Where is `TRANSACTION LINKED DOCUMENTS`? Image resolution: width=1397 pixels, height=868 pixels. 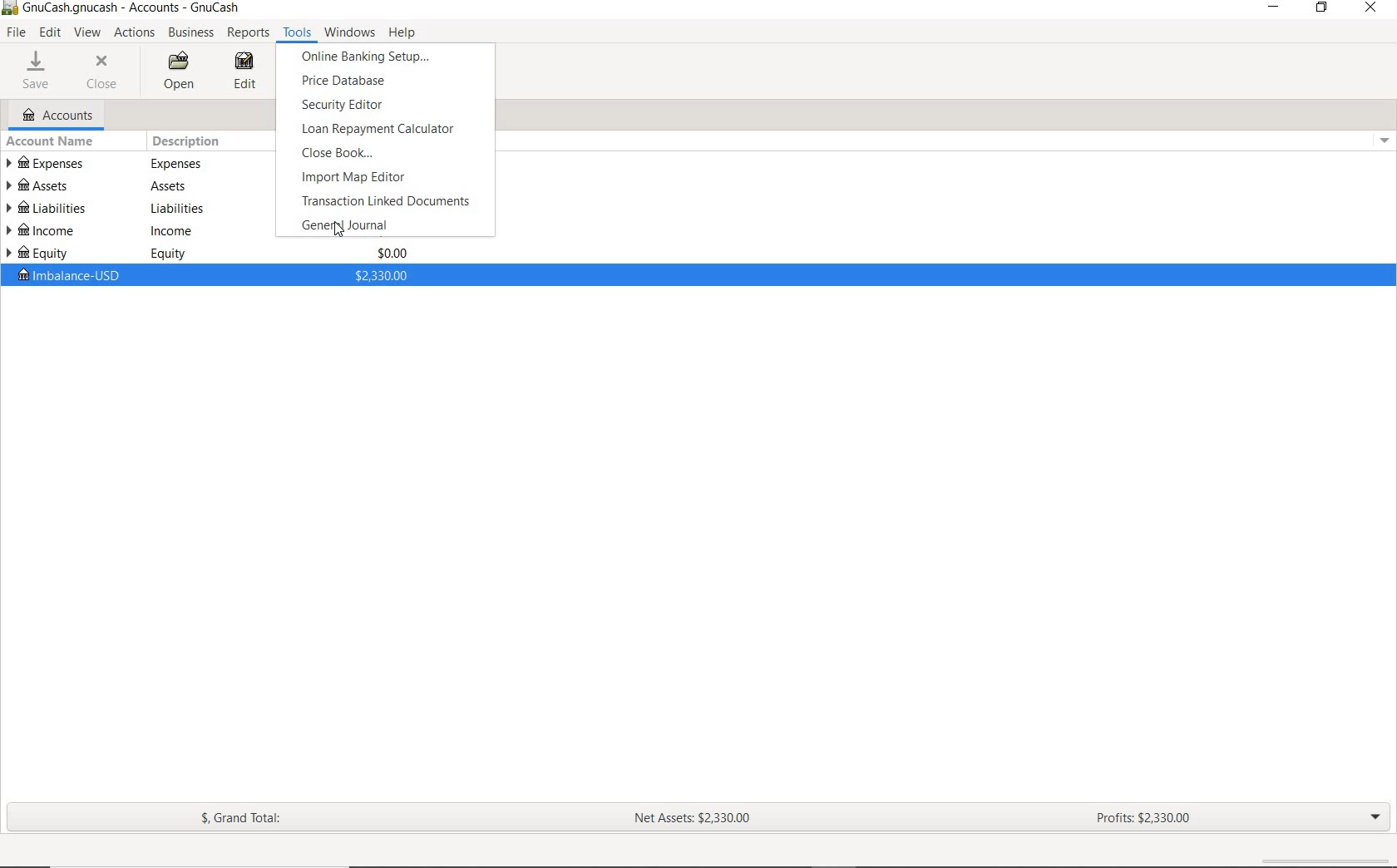 TRANSACTION LINKED DOCUMENTS is located at coordinates (386, 201).